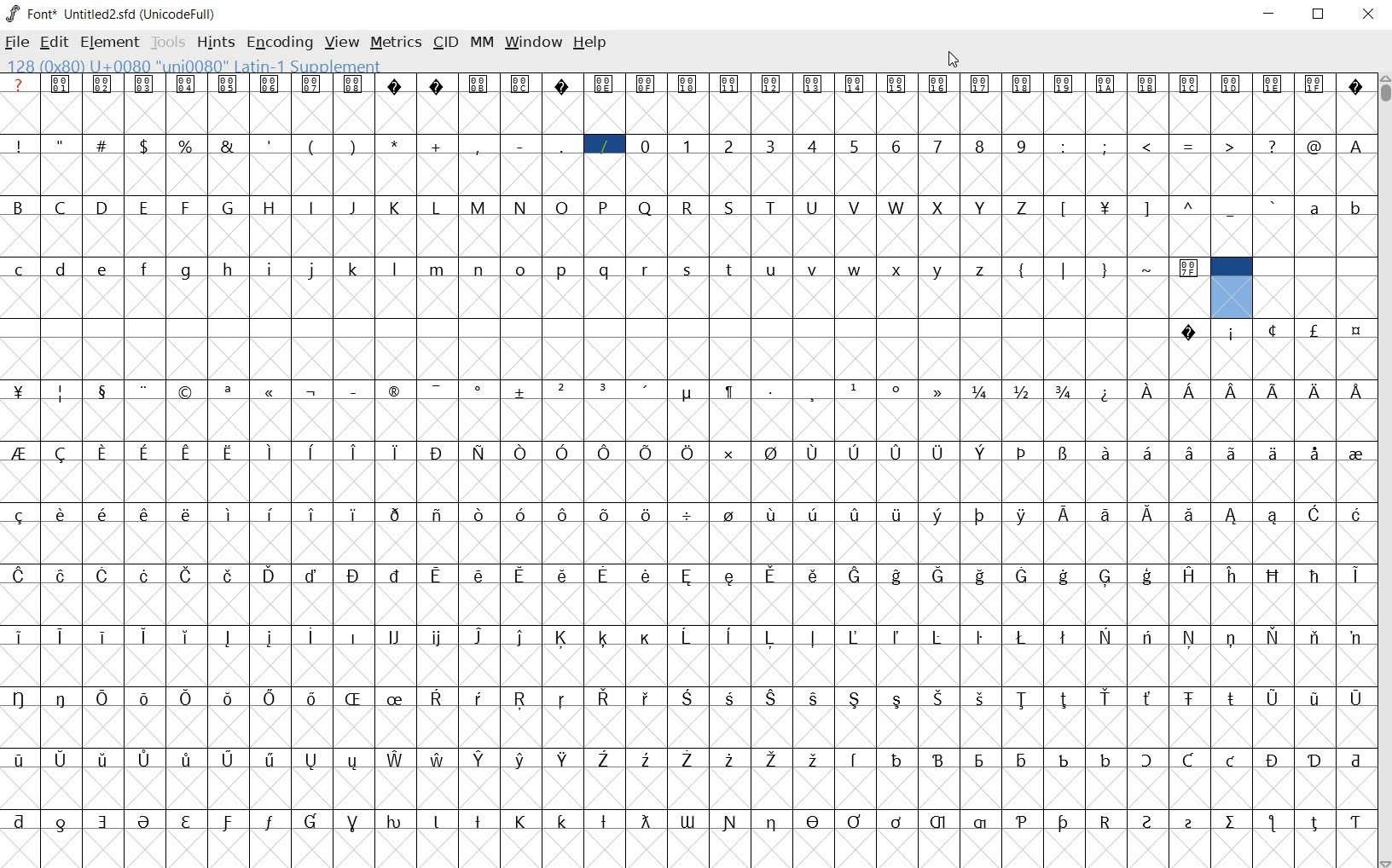 The width and height of the screenshot is (1392, 868). What do you see at coordinates (1271, 144) in the screenshot?
I see `?` at bounding box center [1271, 144].